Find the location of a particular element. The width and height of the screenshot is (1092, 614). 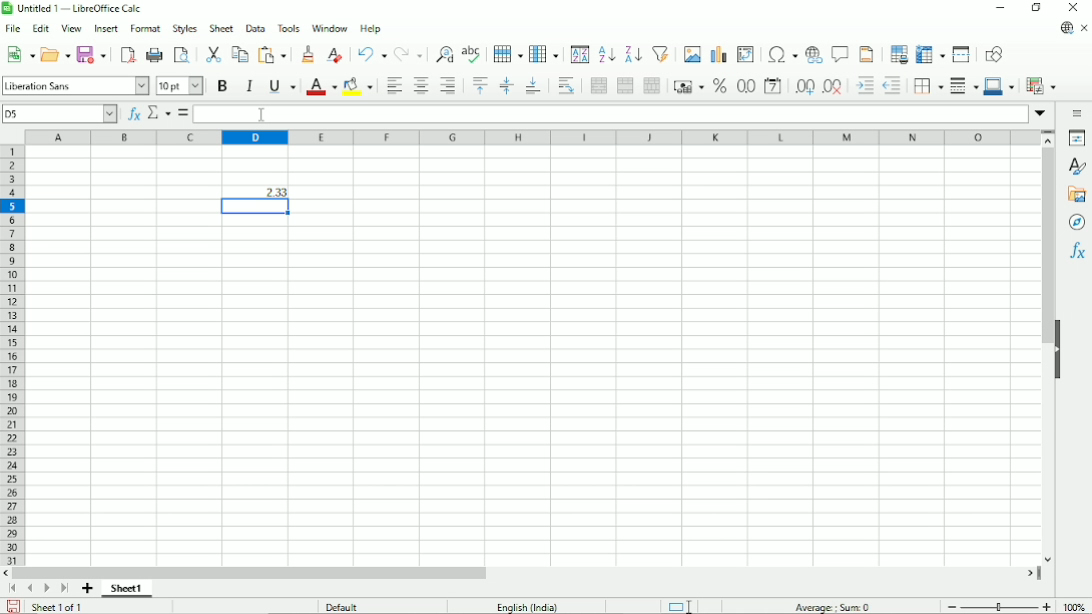

Tools is located at coordinates (289, 28).